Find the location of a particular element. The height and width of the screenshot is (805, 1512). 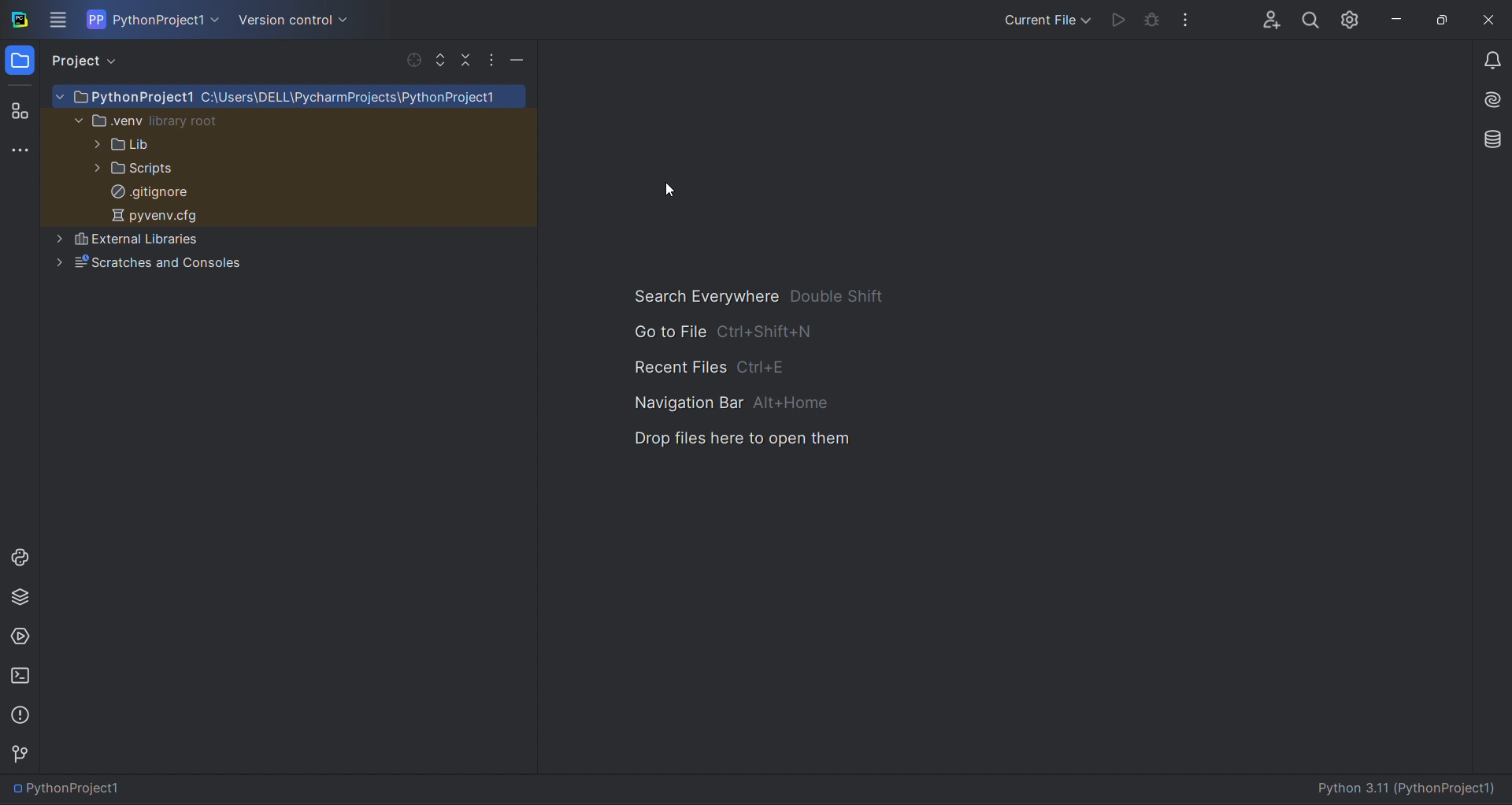

structure is located at coordinates (20, 112).